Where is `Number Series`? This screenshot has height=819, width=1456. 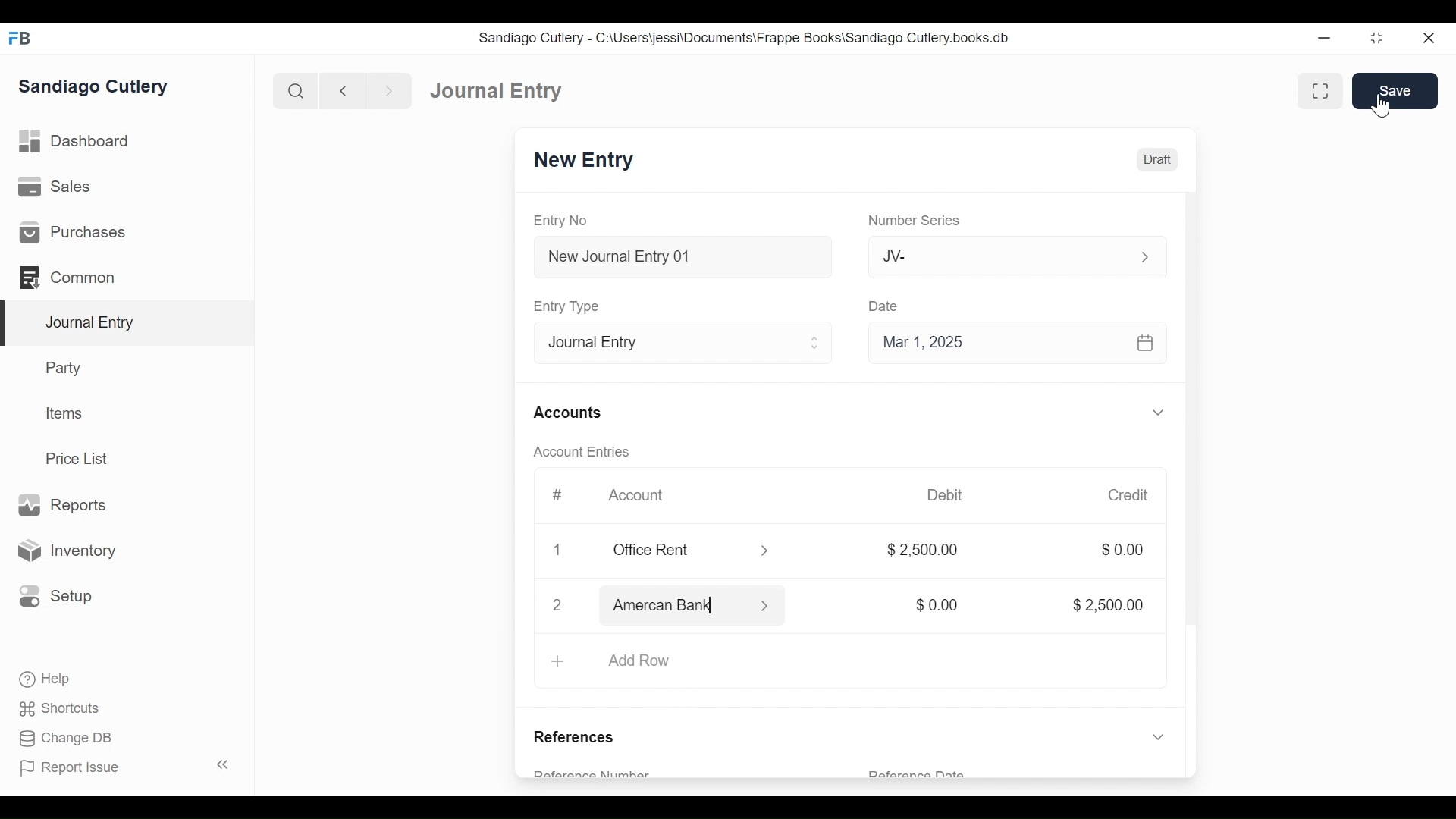 Number Series is located at coordinates (912, 221).